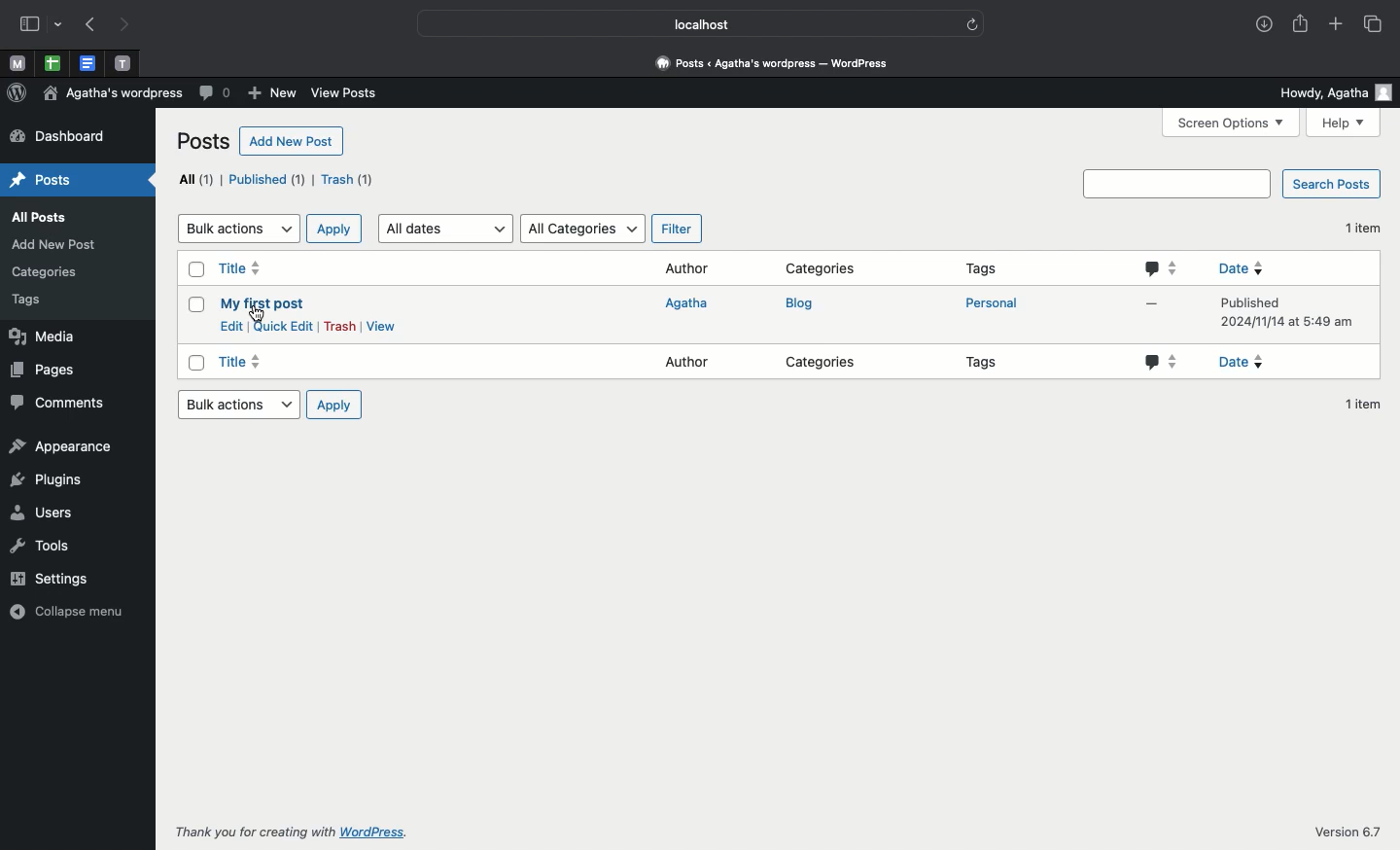 The width and height of the screenshot is (1400, 850). What do you see at coordinates (1263, 25) in the screenshot?
I see `Downloads` at bounding box center [1263, 25].